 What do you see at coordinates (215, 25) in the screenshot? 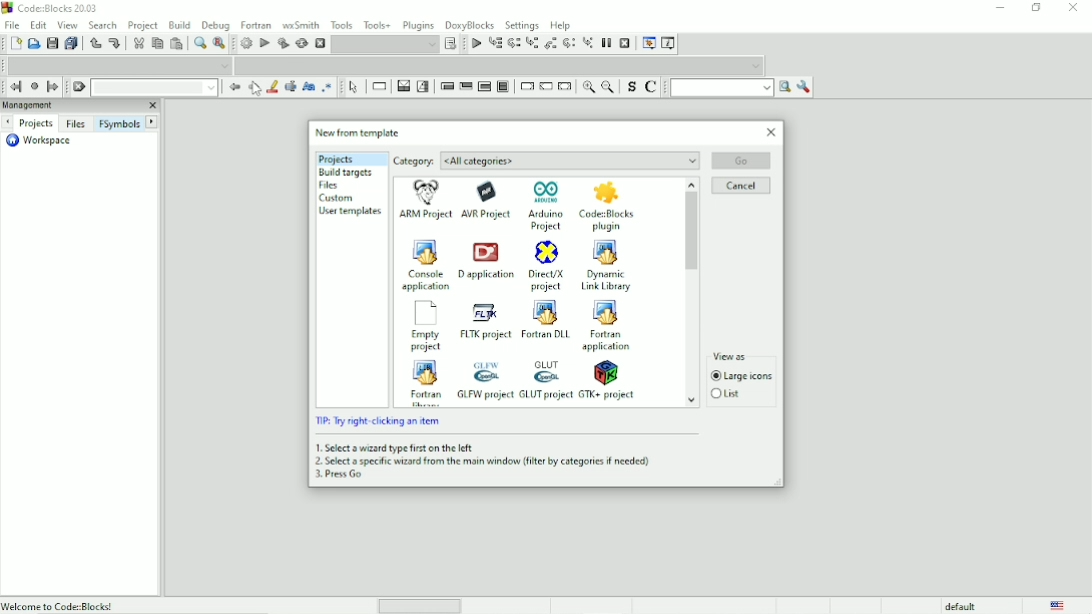
I see `Debug` at bounding box center [215, 25].